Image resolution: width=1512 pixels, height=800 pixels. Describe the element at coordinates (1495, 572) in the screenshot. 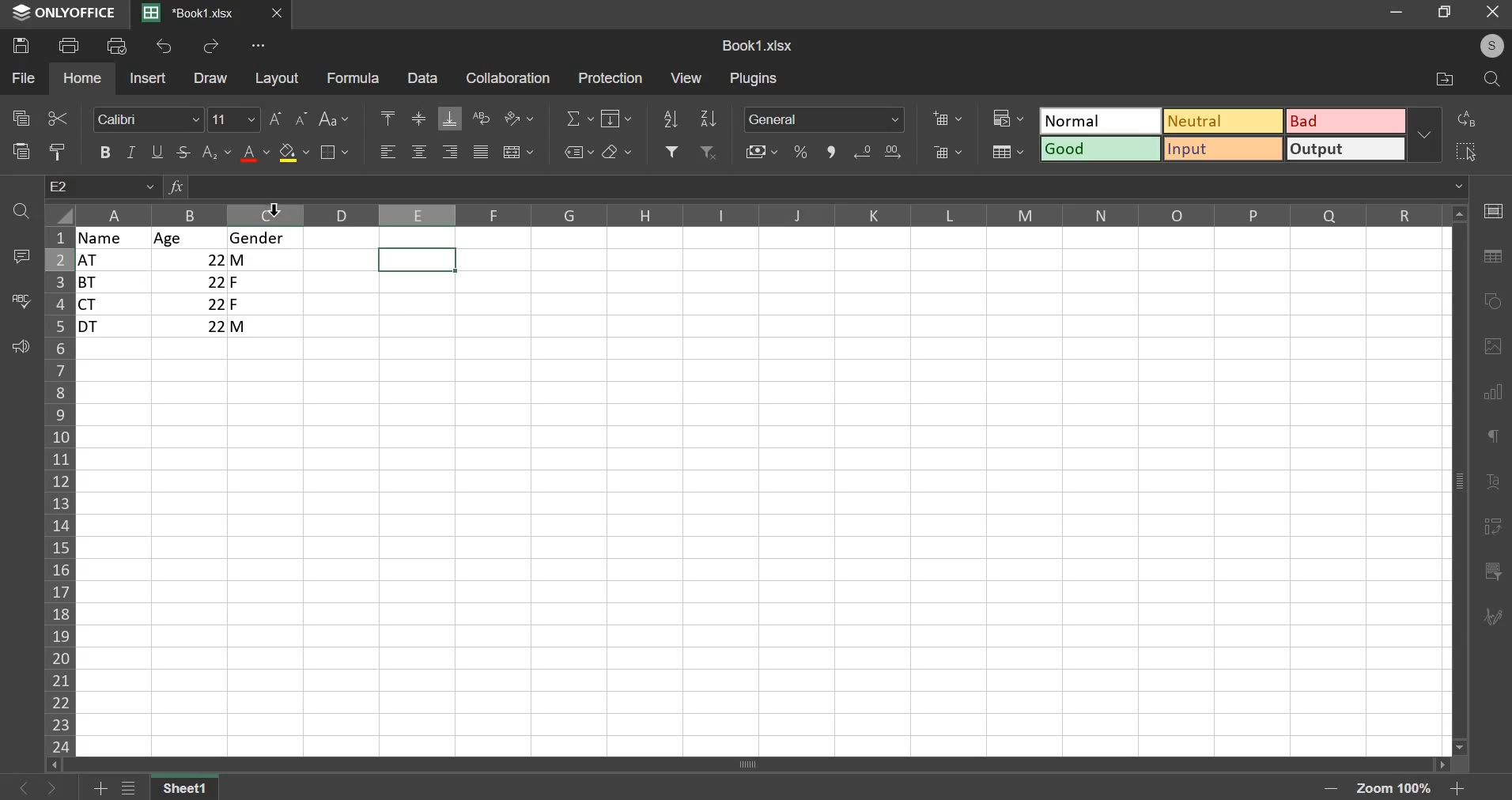

I see `slicer` at that location.